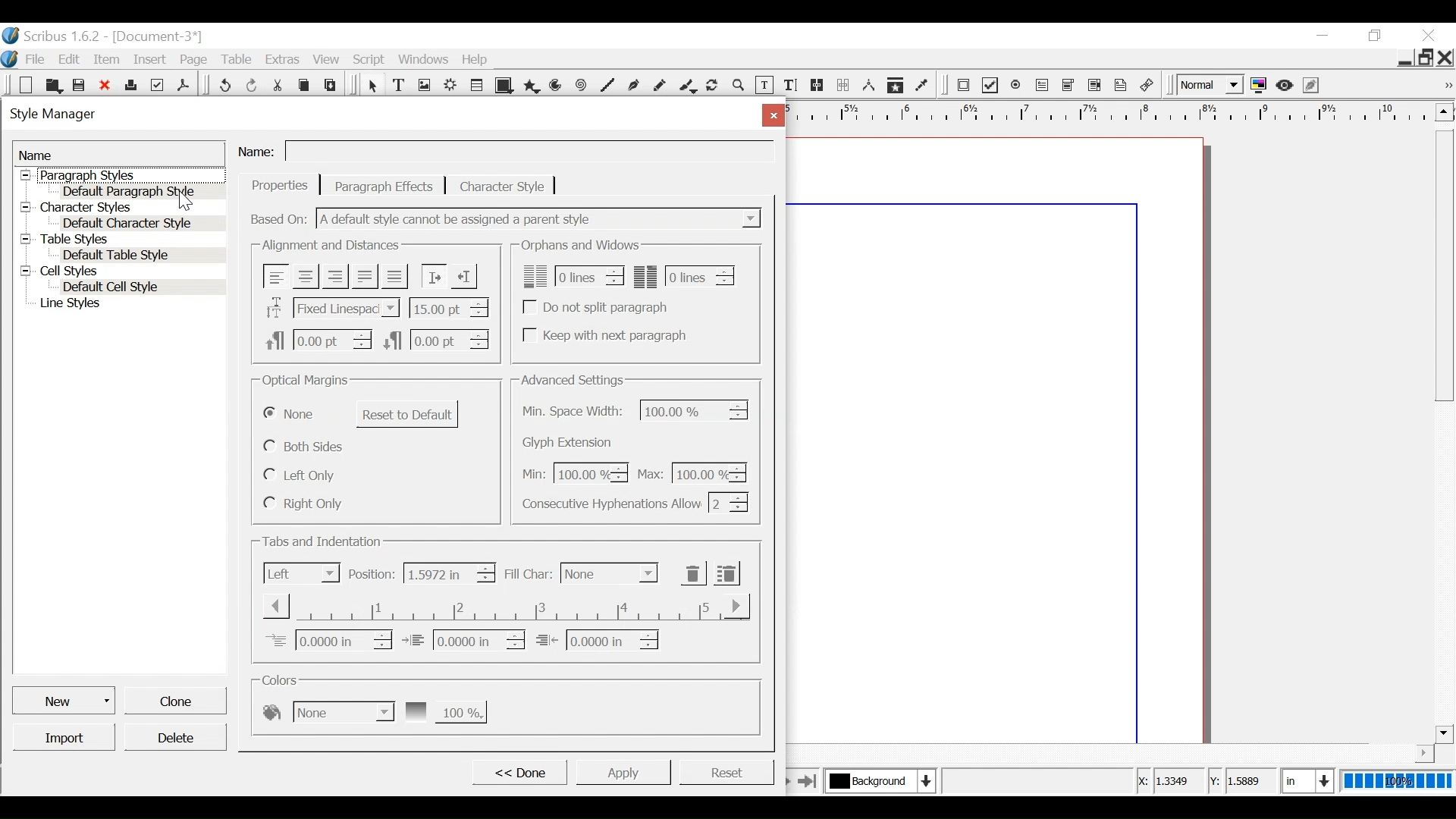 This screenshot has height=819, width=1456. Describe the element at coordinates (1426, 56) in the screenshot. I see `Restore` at that location.